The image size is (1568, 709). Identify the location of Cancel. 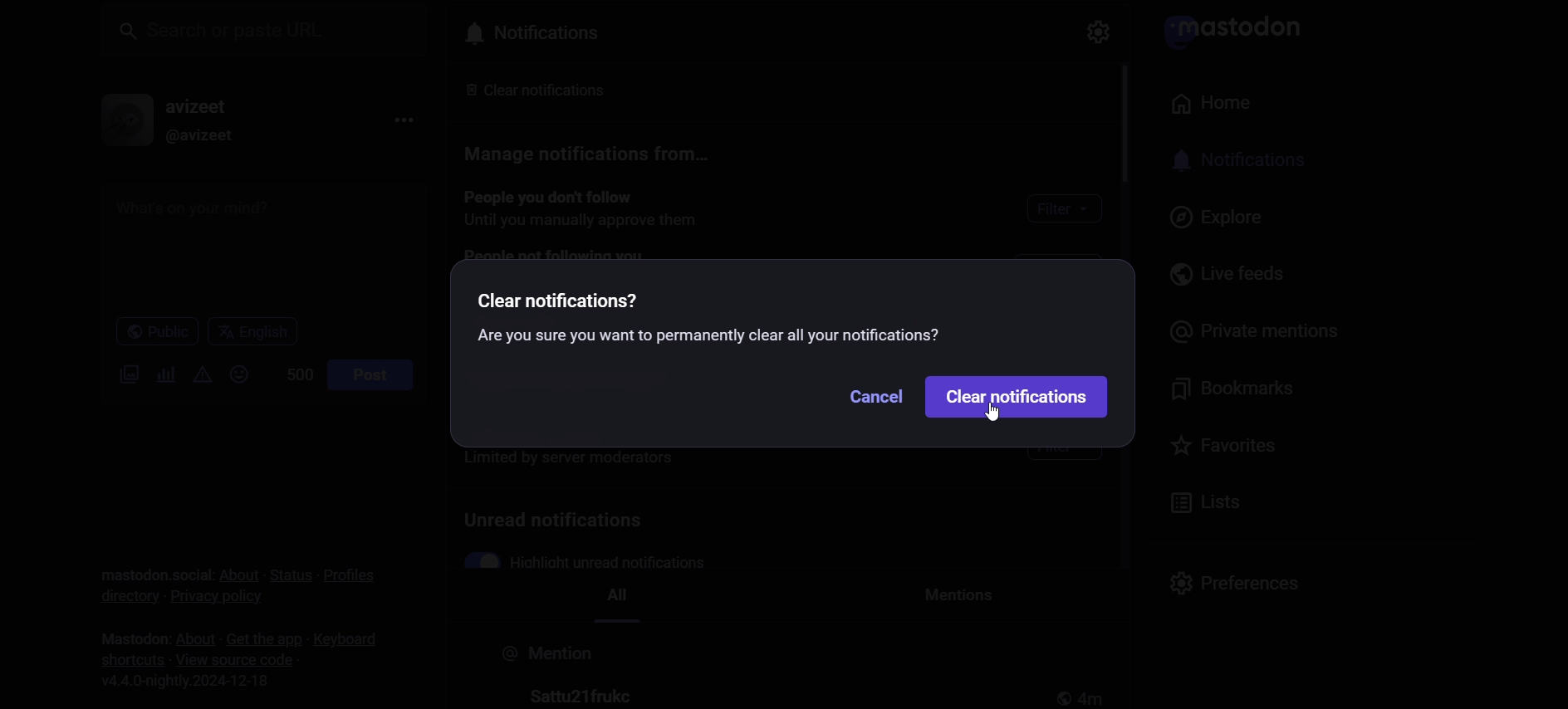
(871, 398).